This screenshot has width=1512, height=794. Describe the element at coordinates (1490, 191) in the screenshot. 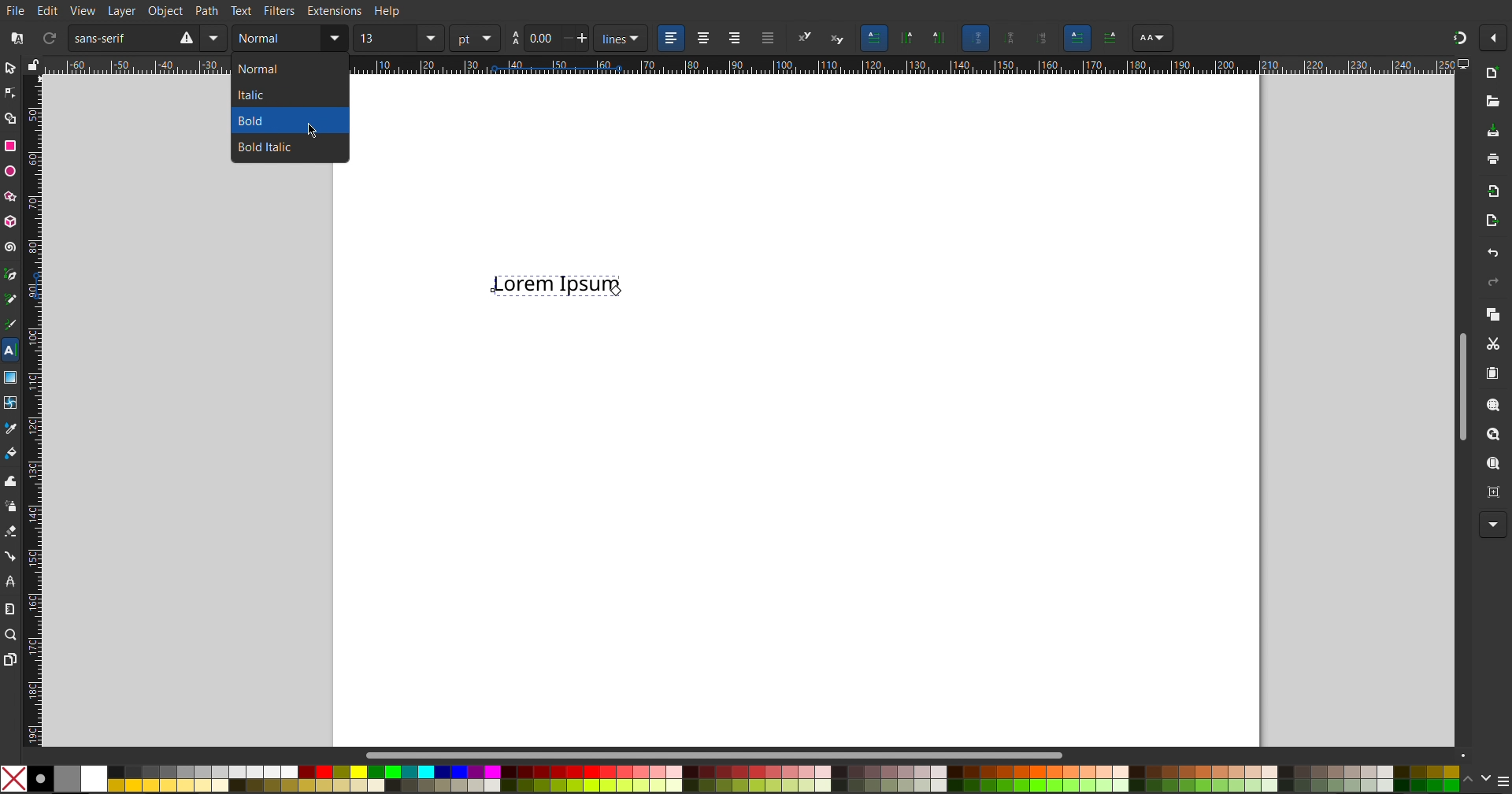

I see `Import a Bitmap or SVG` at that location.